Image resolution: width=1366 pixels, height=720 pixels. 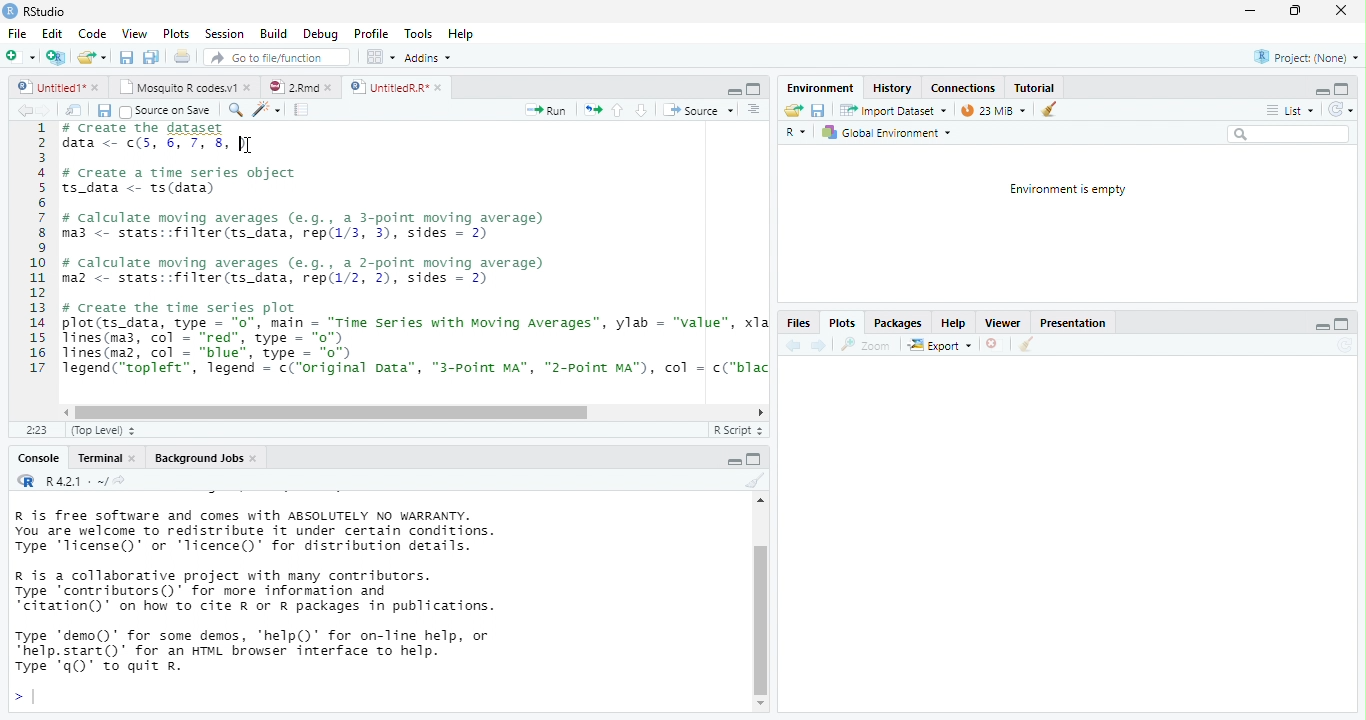 What do you see at coordinates (75, 110) in the screenshot?
I see `show in window` at bounding box center [75, 110].